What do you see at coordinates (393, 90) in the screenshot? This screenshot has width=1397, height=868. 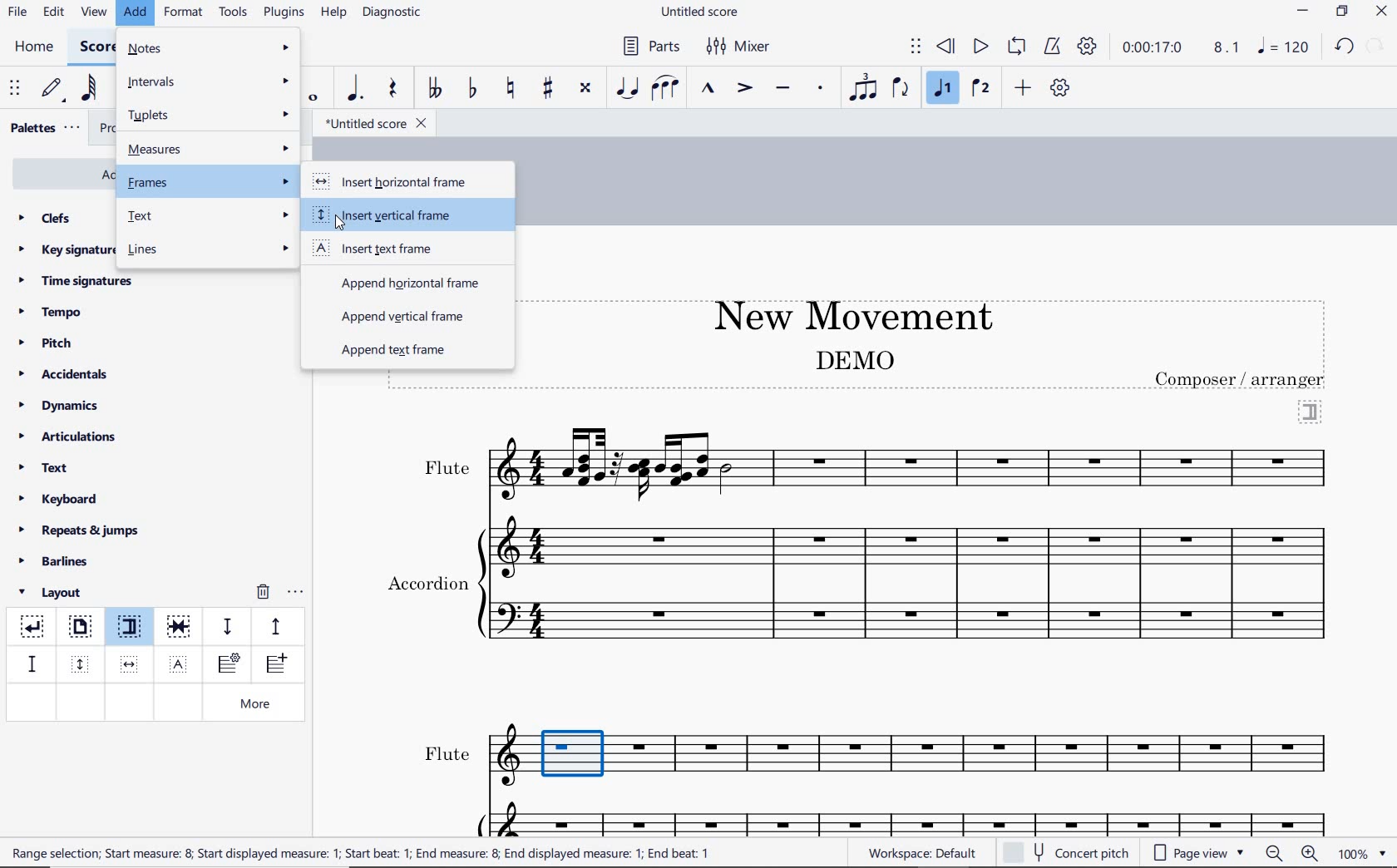 I see `rest` at bounding box center [393, 90].